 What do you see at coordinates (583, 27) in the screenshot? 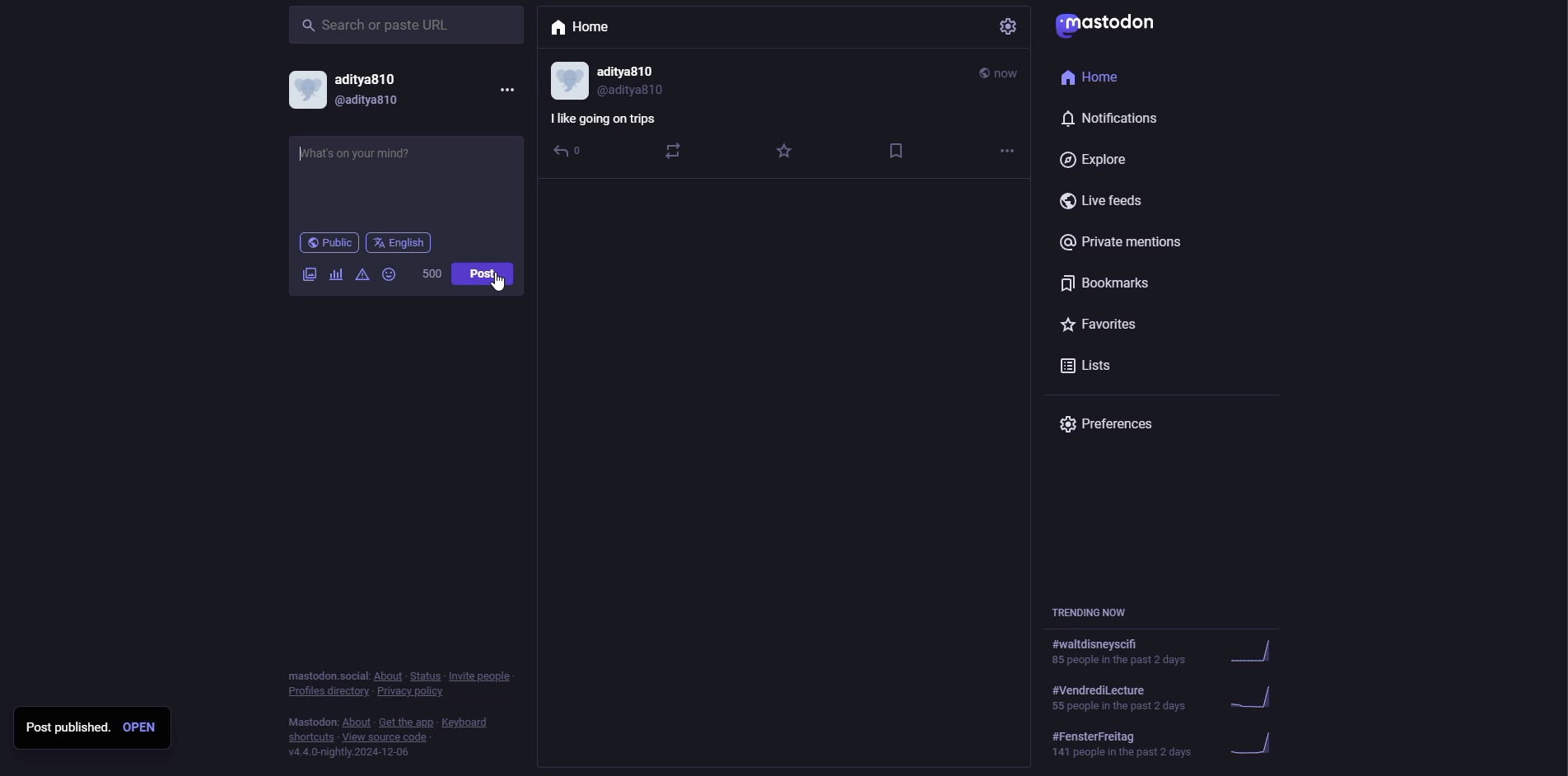
I see `home` at bounding box center [583, 27].